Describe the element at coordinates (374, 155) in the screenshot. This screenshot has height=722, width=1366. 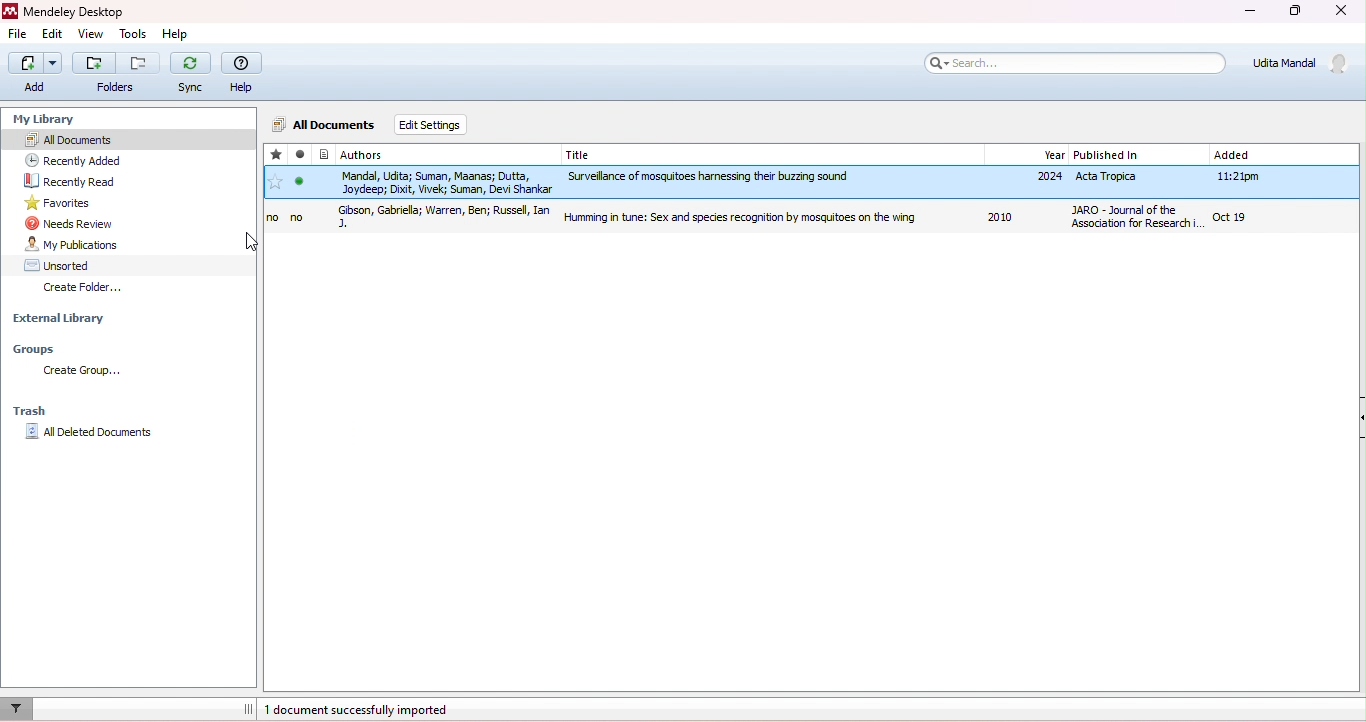
I see `authors` at that location.